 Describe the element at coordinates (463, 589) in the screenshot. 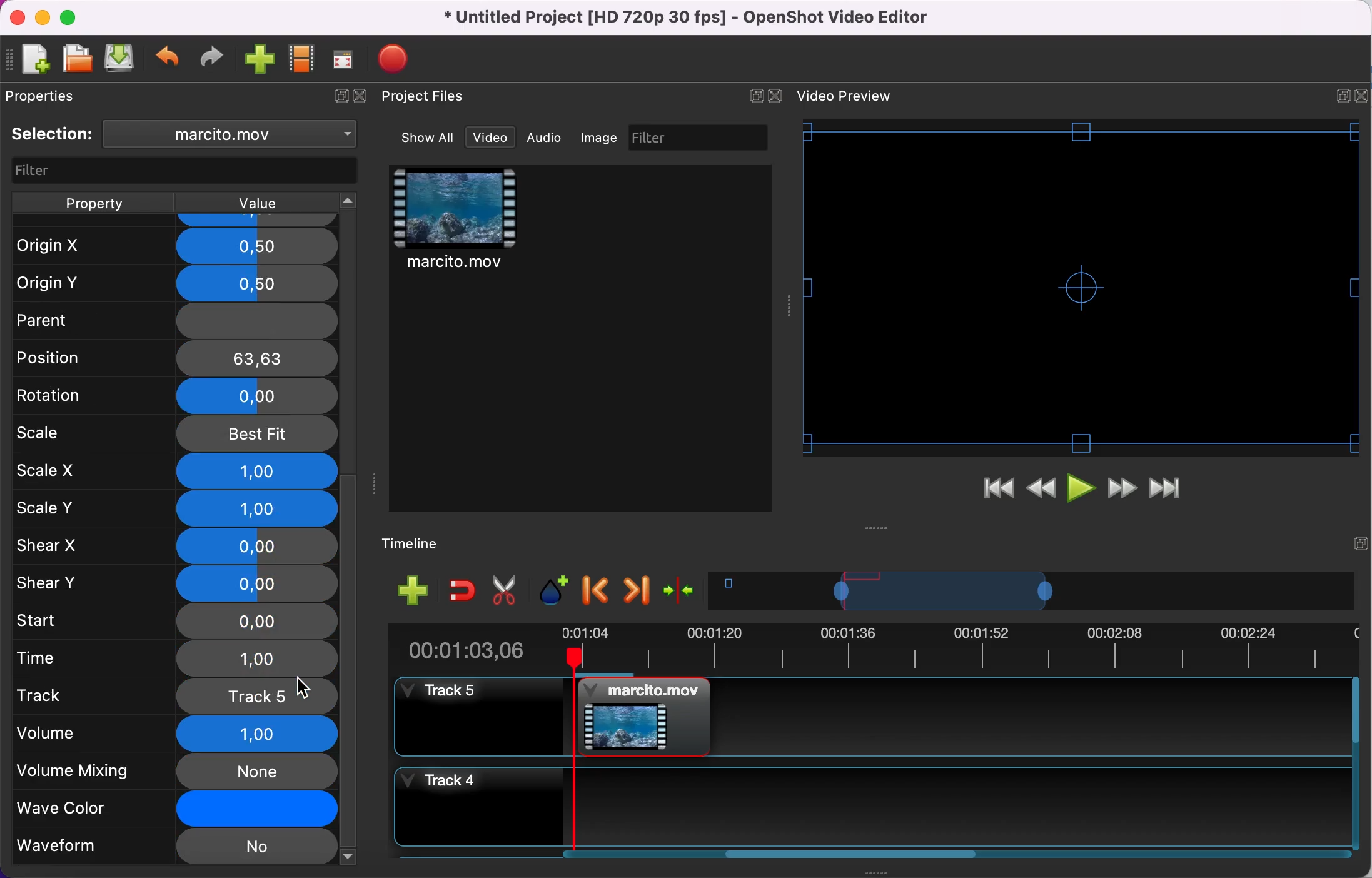

I see `enable snapping` at that location.